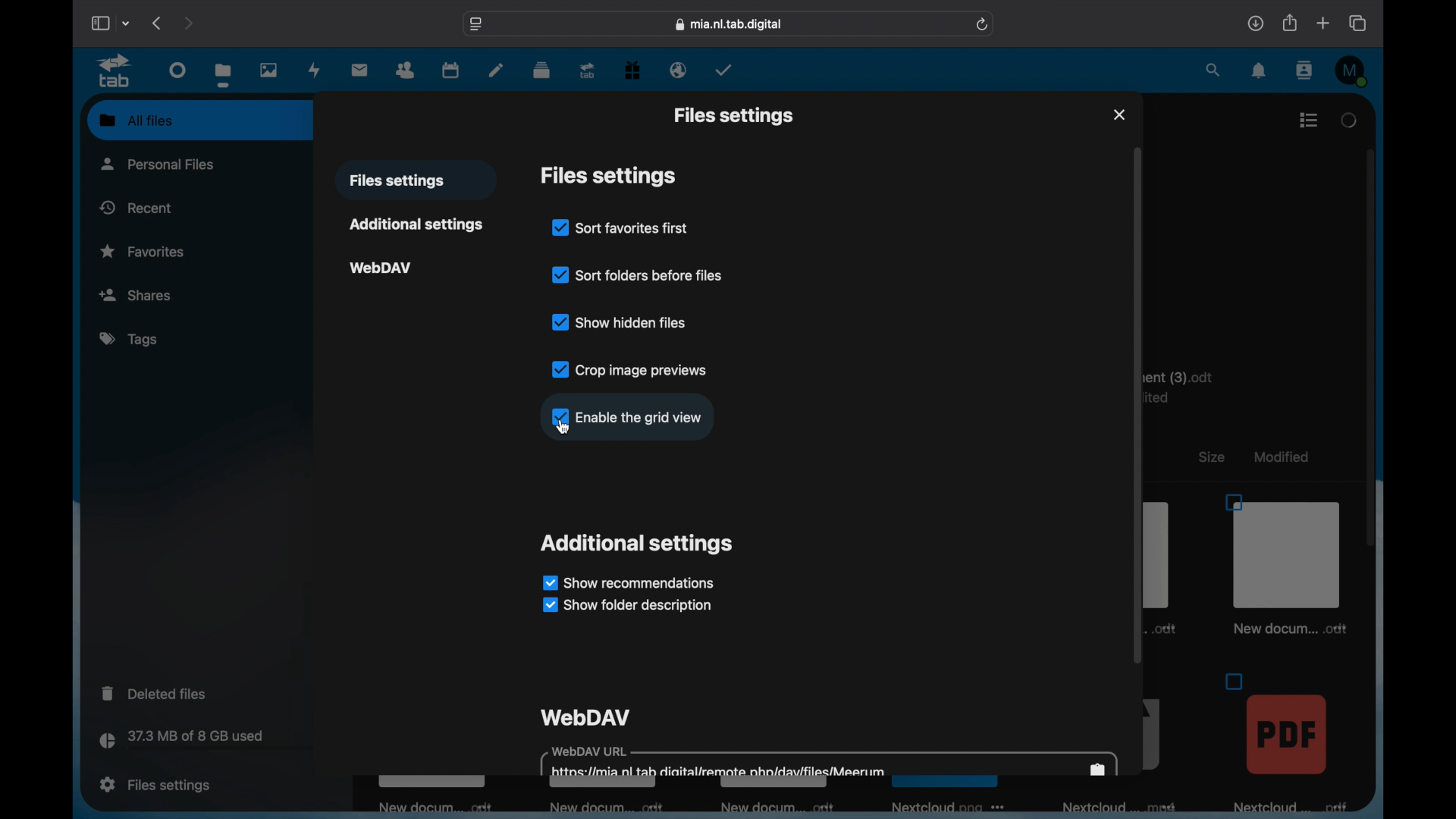 The width and height of the screenshot is (1456, 819). What do you see at coordinates (160, 294) in the screenshot?
I see `shares` at bounding box center [160, 294].